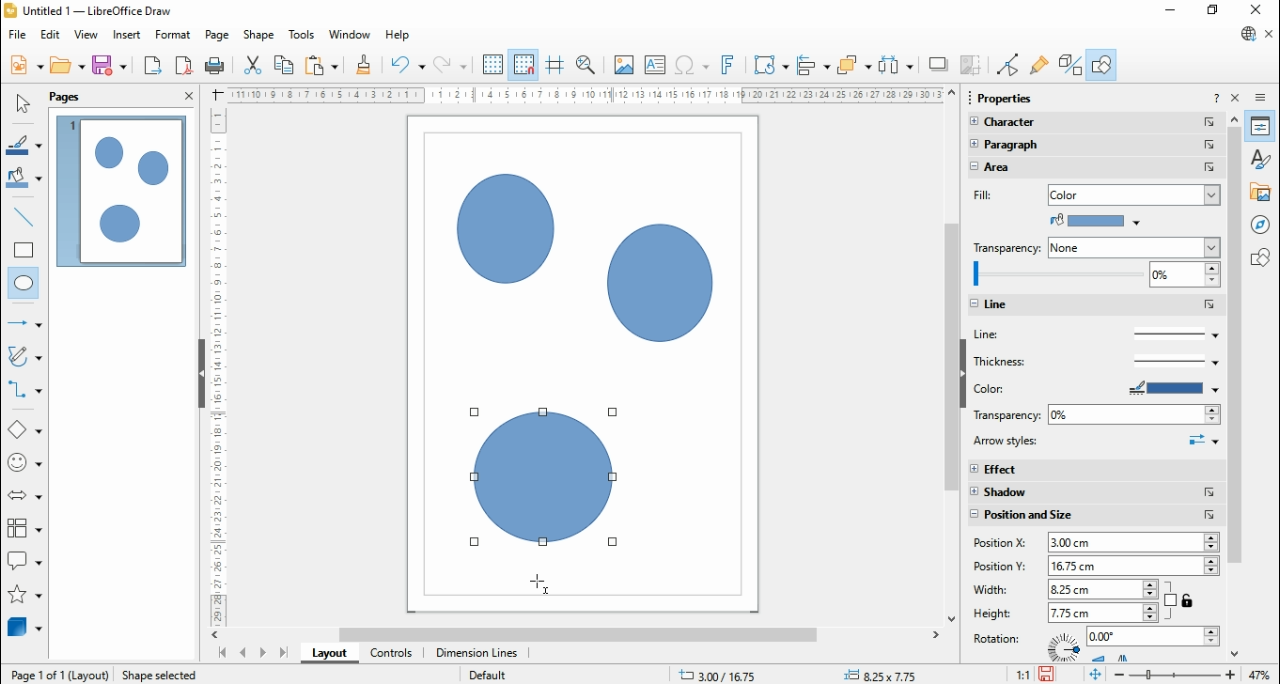 This screenshot has height=684, width=1280. I want to click on Scale, so click(217, 363).